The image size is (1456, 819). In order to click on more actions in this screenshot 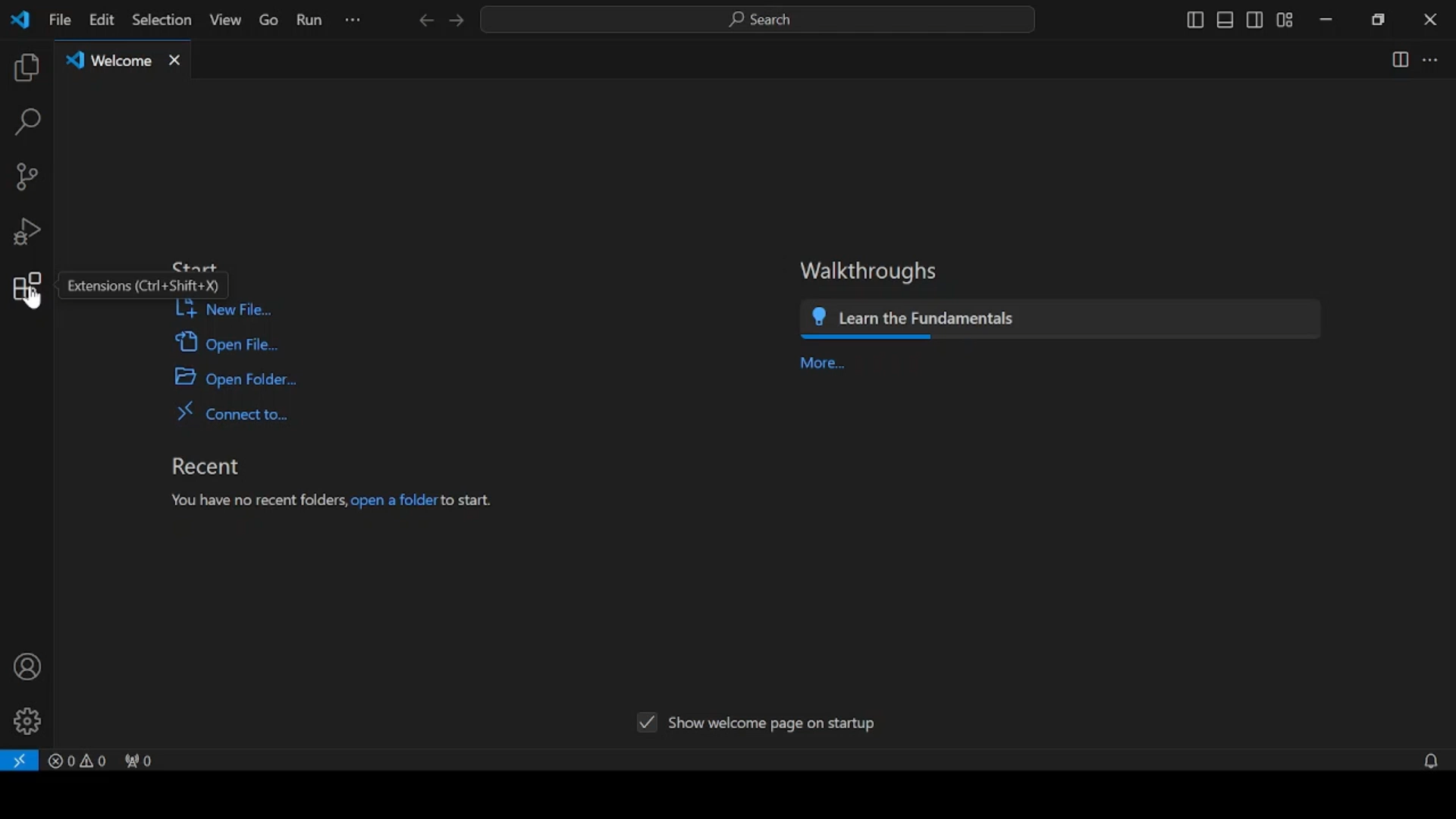, I will do `click(1431, 60)`.